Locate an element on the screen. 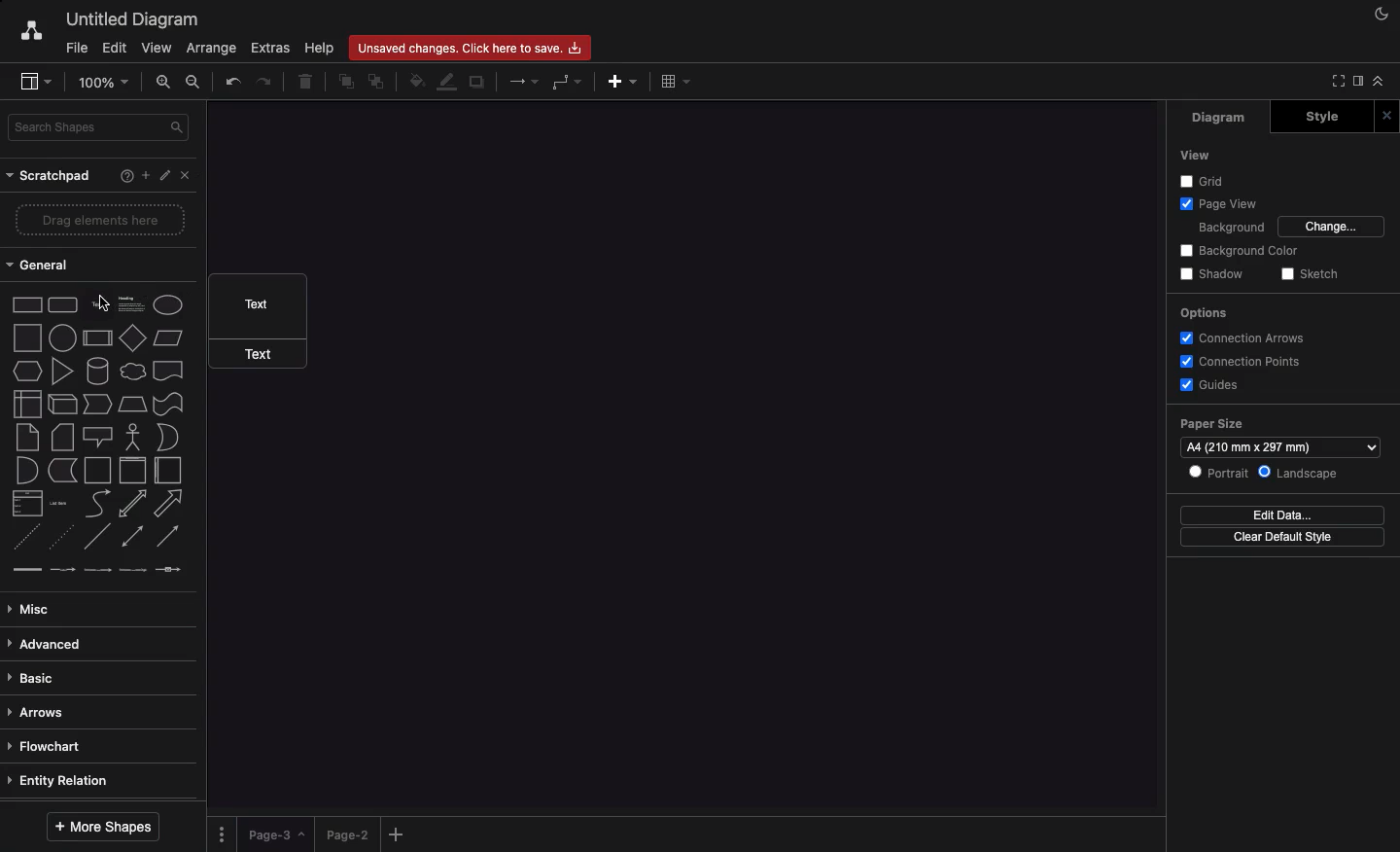 The width and height of the screenshot is (1400, 852). Undo is located at coordinates (233, 82).